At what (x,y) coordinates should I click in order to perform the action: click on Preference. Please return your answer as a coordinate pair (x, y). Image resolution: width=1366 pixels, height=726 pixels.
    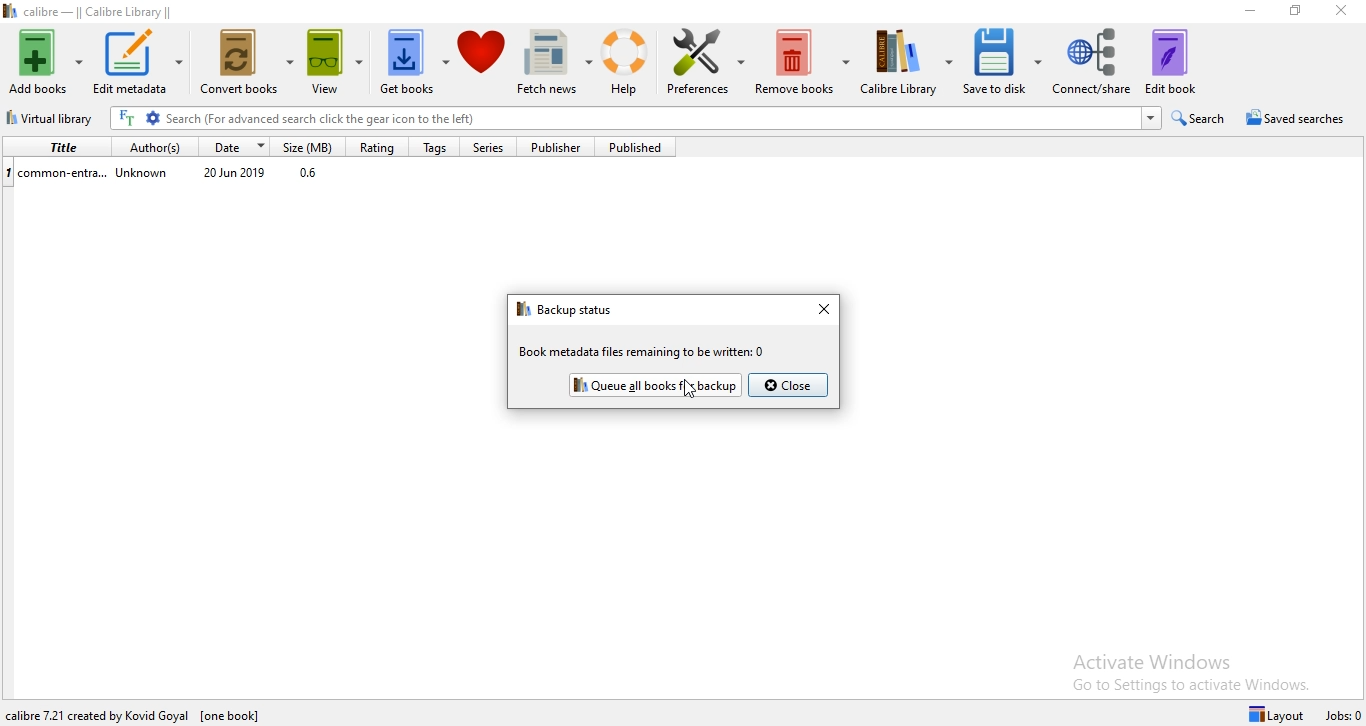
    Looking at the image, I should click on (708, 65).